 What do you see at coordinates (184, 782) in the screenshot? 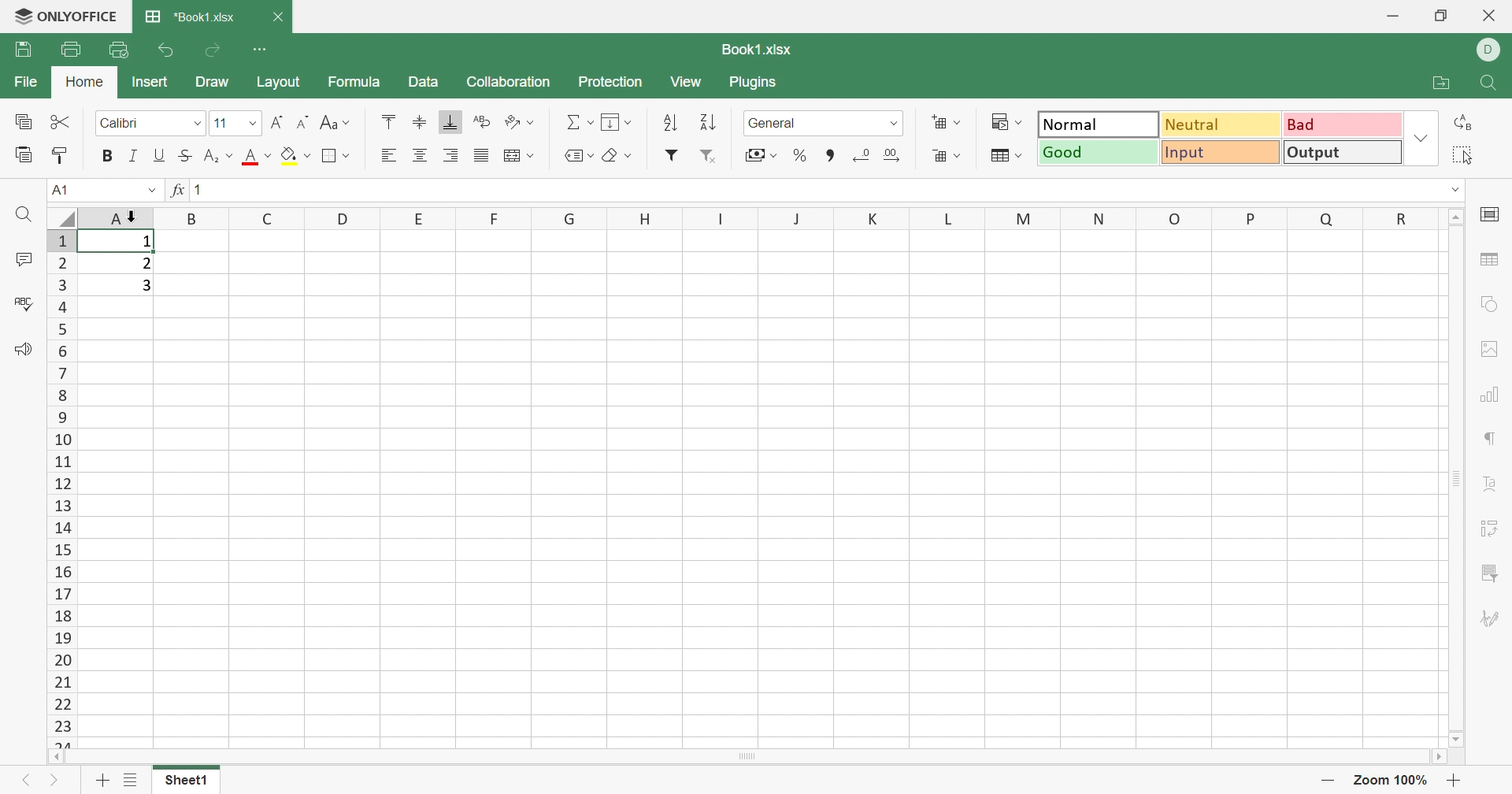
I see `Sheet1` at bounding box center [184, 782].